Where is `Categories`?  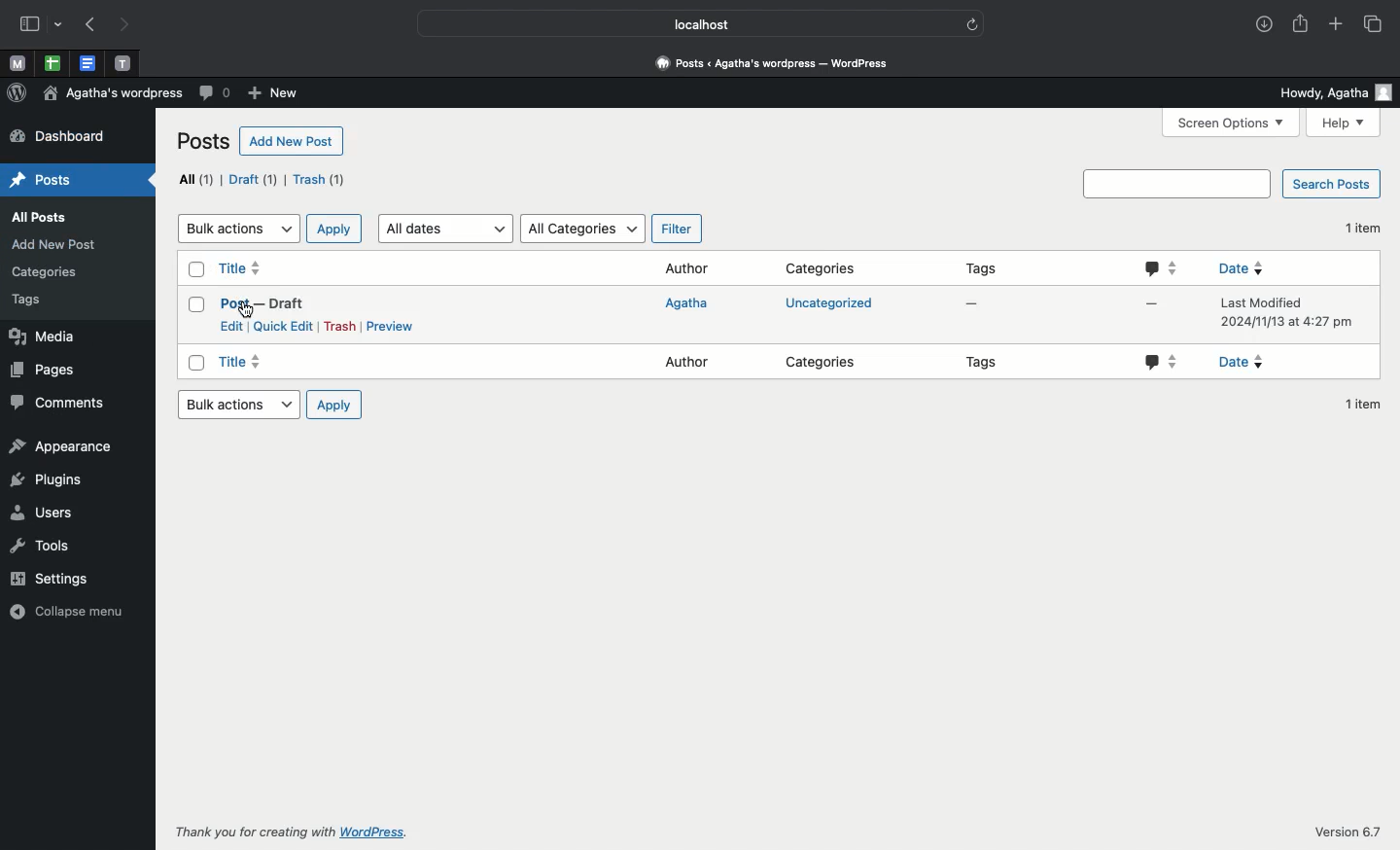
Categories is located at coordinates (822, 361).